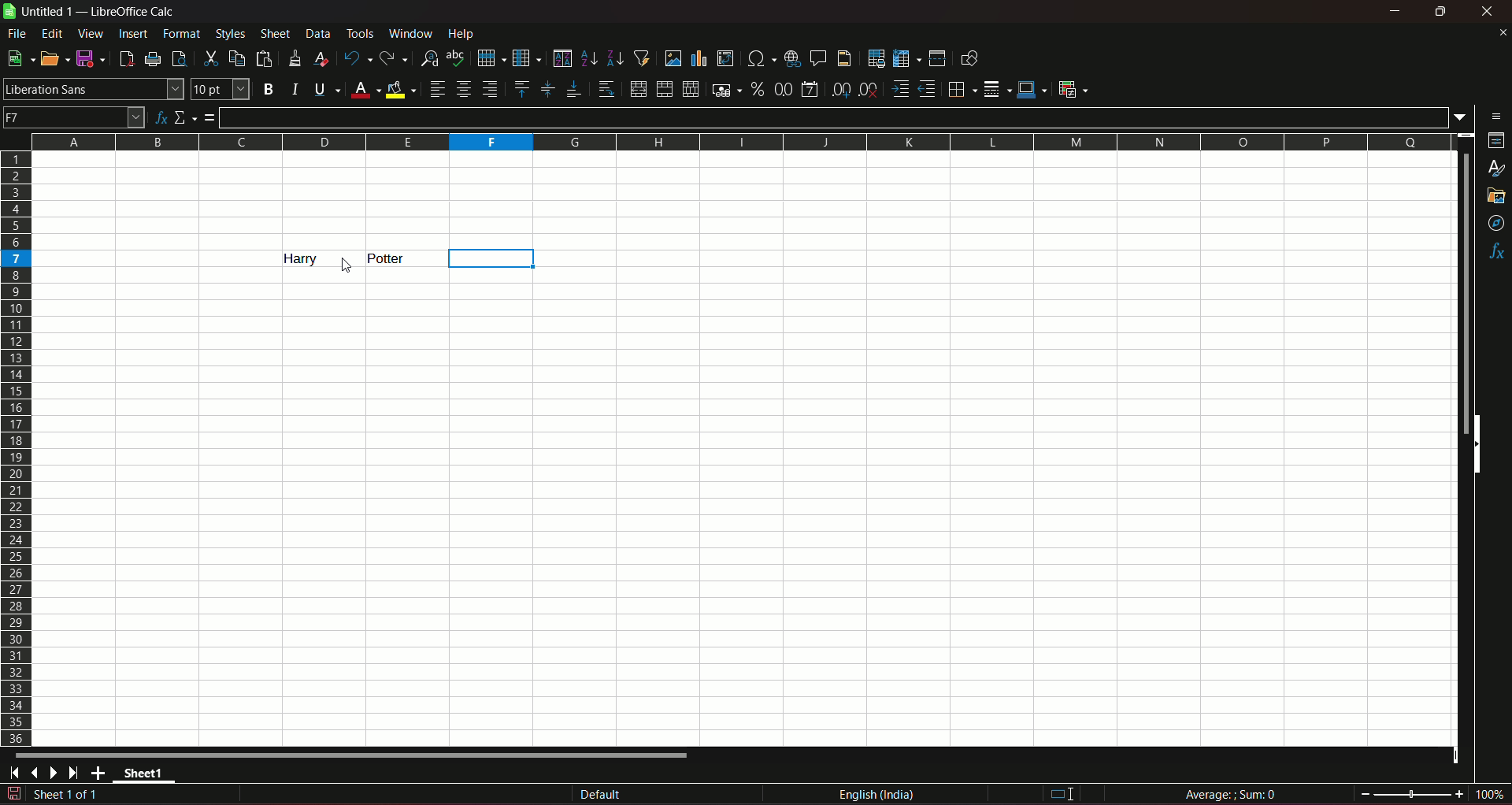 The width and height of the screenshot is (1512, 805). What do you see at coordinates (229, 33) in the screenshot?
I see `styles` at bounding box center [229, 33].